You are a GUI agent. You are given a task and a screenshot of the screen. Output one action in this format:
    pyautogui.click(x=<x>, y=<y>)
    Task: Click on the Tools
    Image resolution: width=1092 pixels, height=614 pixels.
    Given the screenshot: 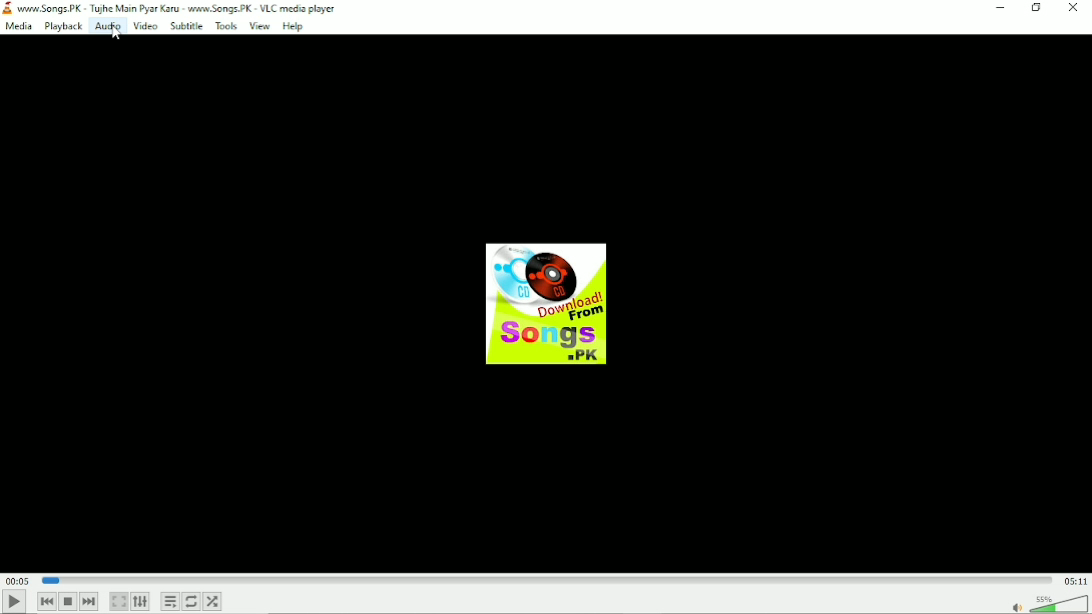 What is the action you would take?
    pyautogui.click(x=225, y=26)
    